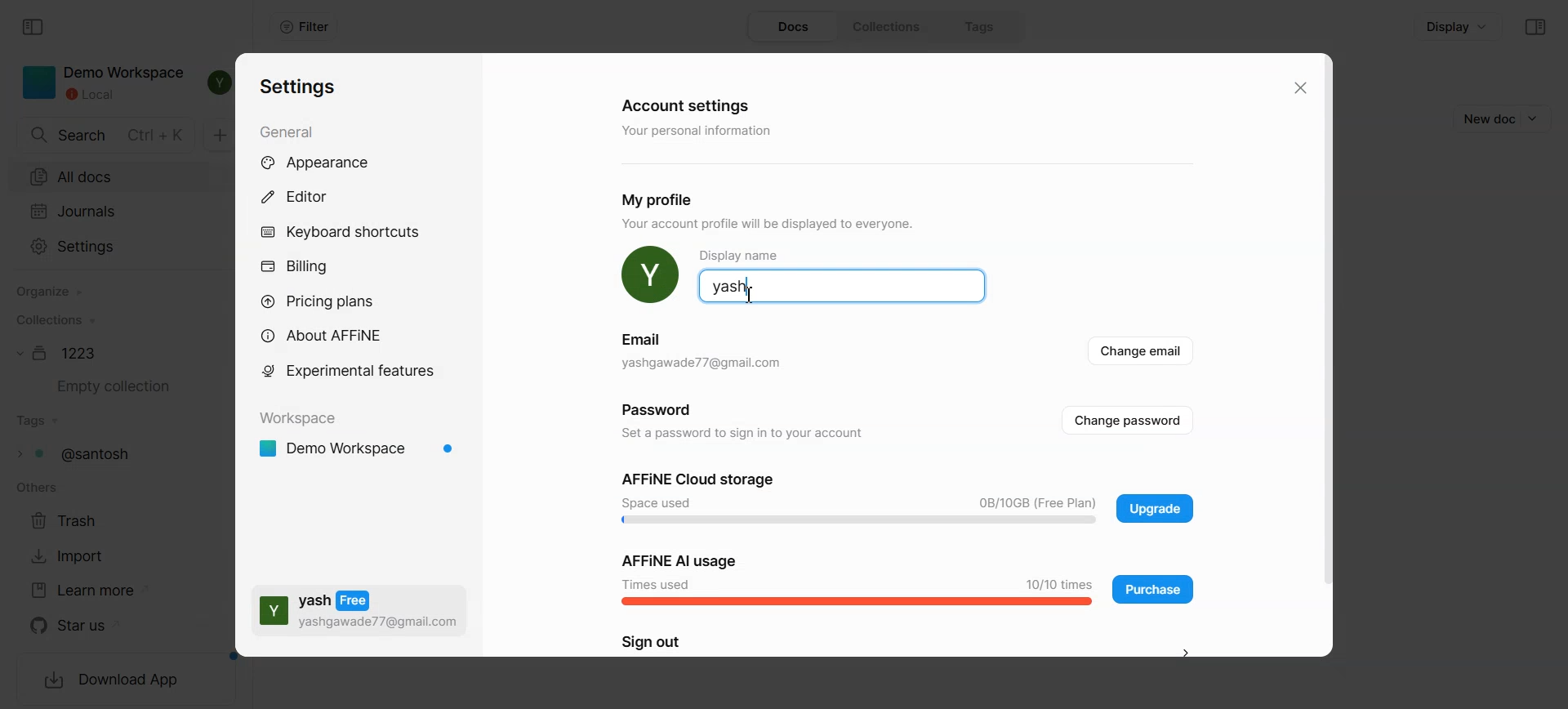 The image size is (1568, 709). What do you see at coordinates (911, 644) in the screenshot?
I see `Sign out ` at bounding box center [911, 644].